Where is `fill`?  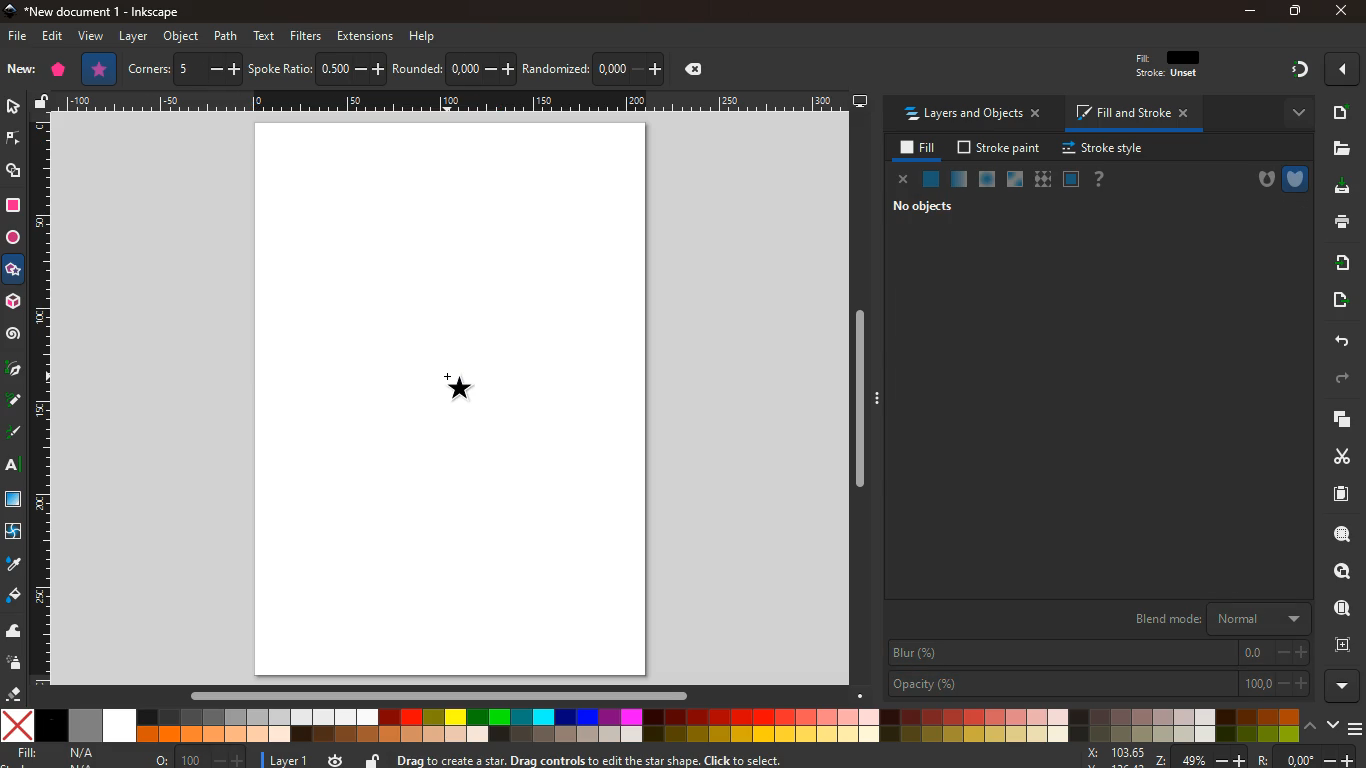 fill is located at coordinates (55, 753).